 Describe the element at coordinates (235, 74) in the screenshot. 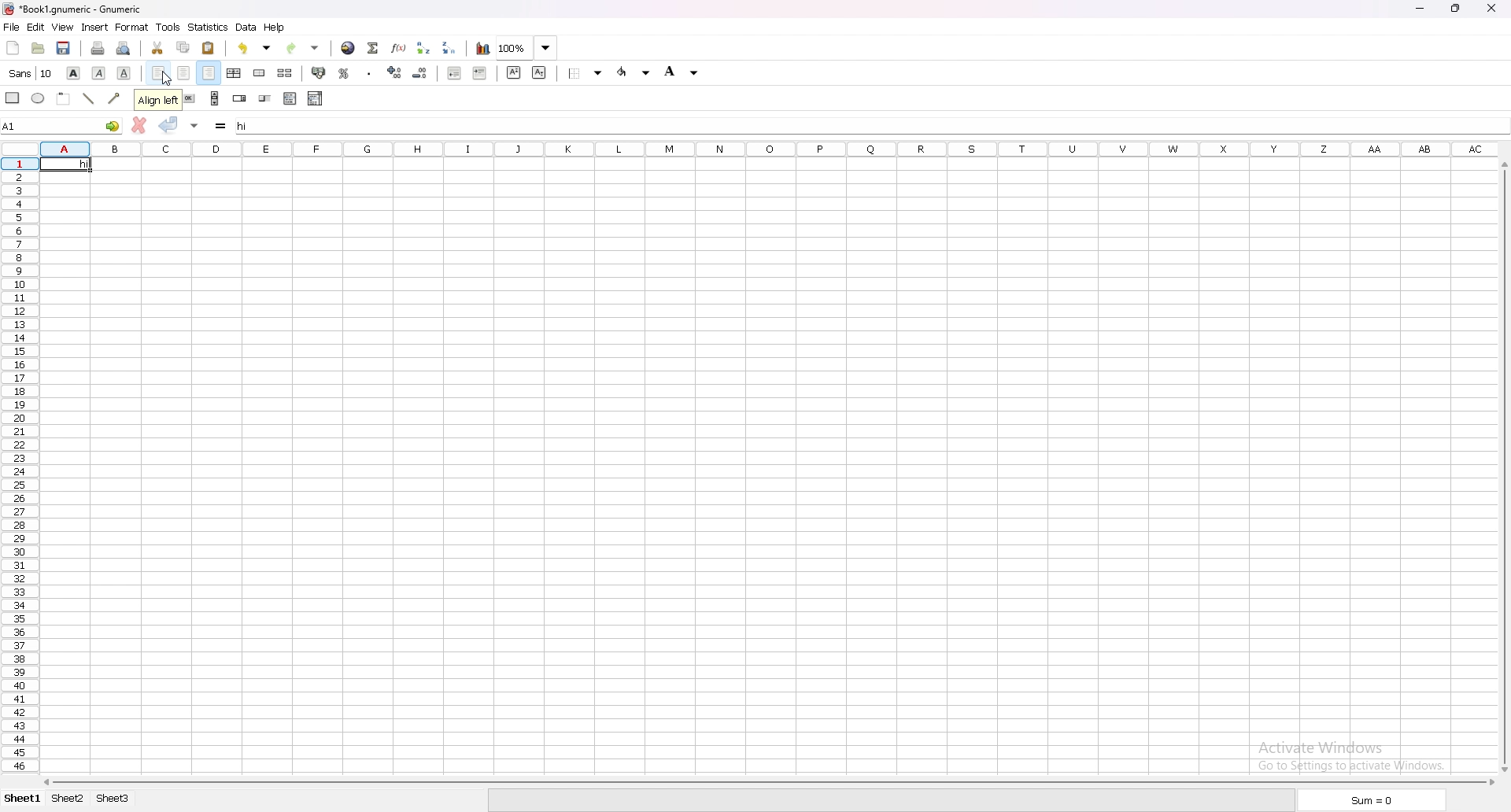

I see `centre horizontally` at that location.